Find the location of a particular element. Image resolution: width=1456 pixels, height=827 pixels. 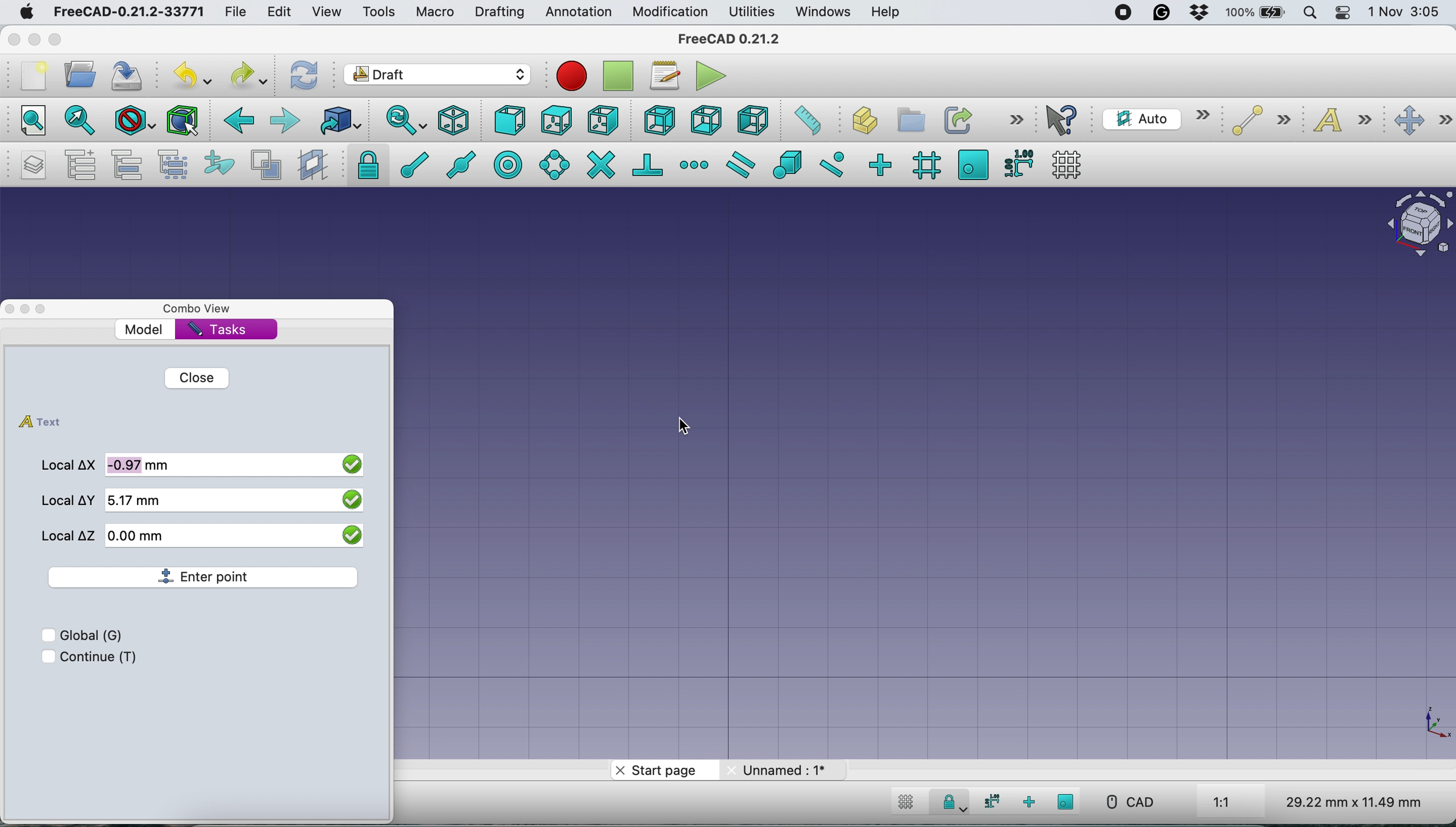

maximise is located at coordinates (45, 308).